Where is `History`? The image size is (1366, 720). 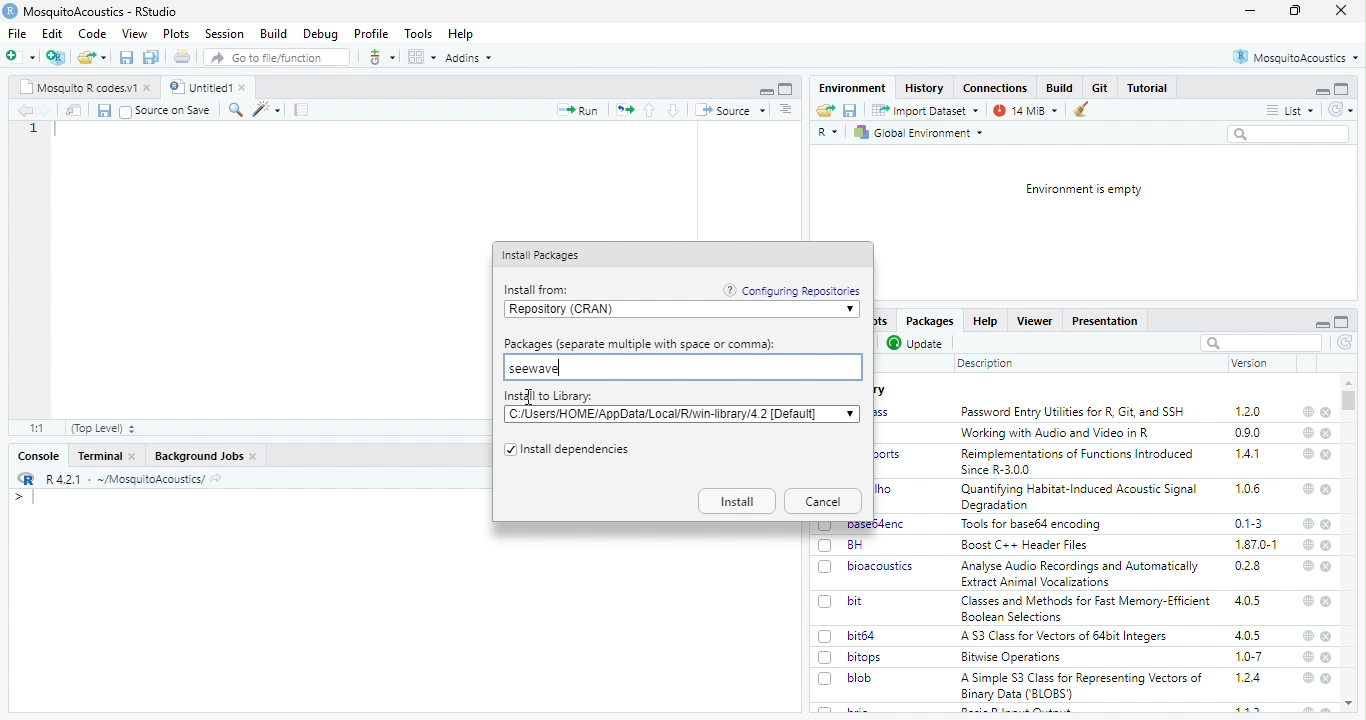
History is located at coordinates (925, 89).